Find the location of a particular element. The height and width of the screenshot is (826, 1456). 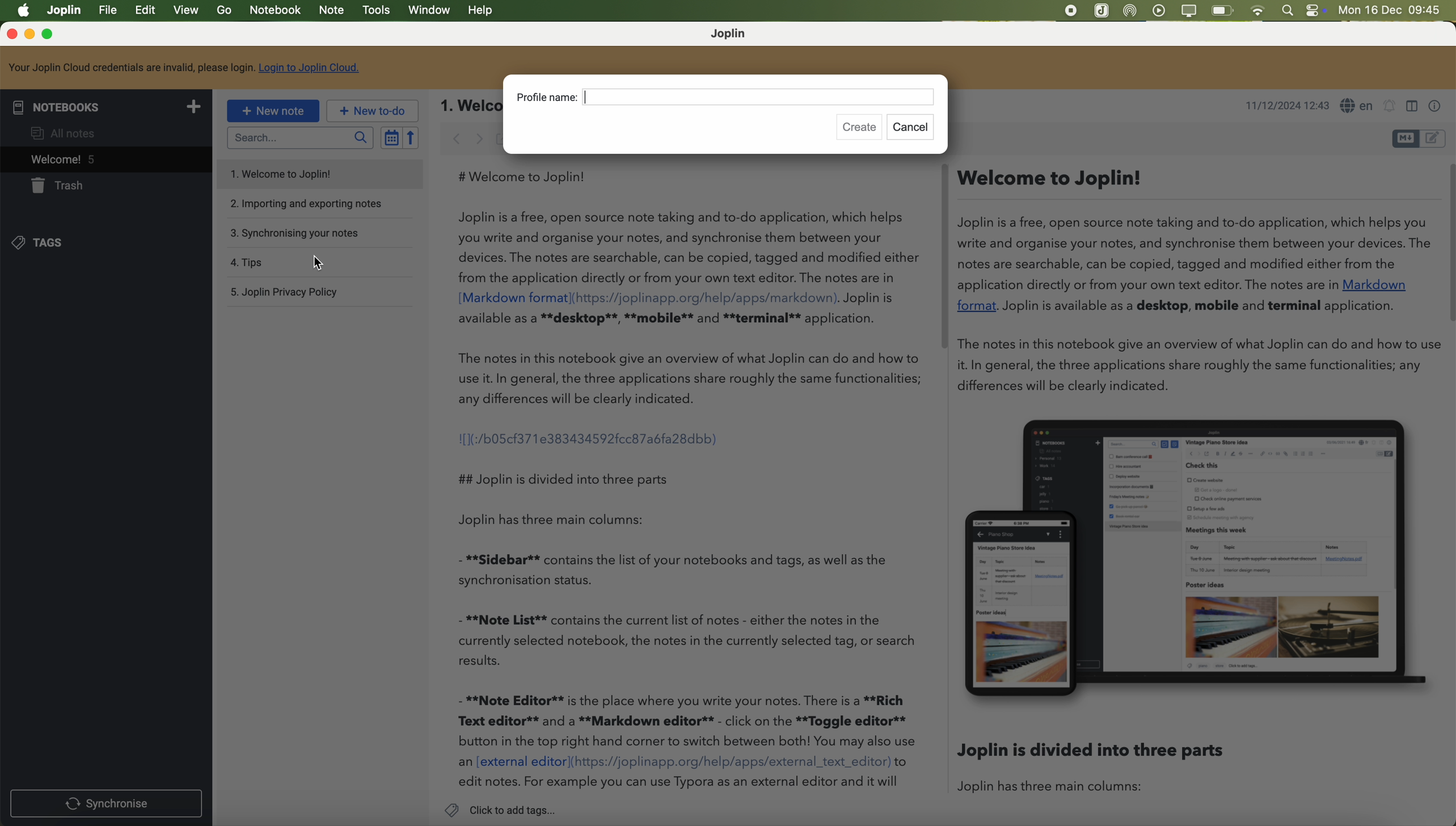

image is located at coordinates (1194, 559).